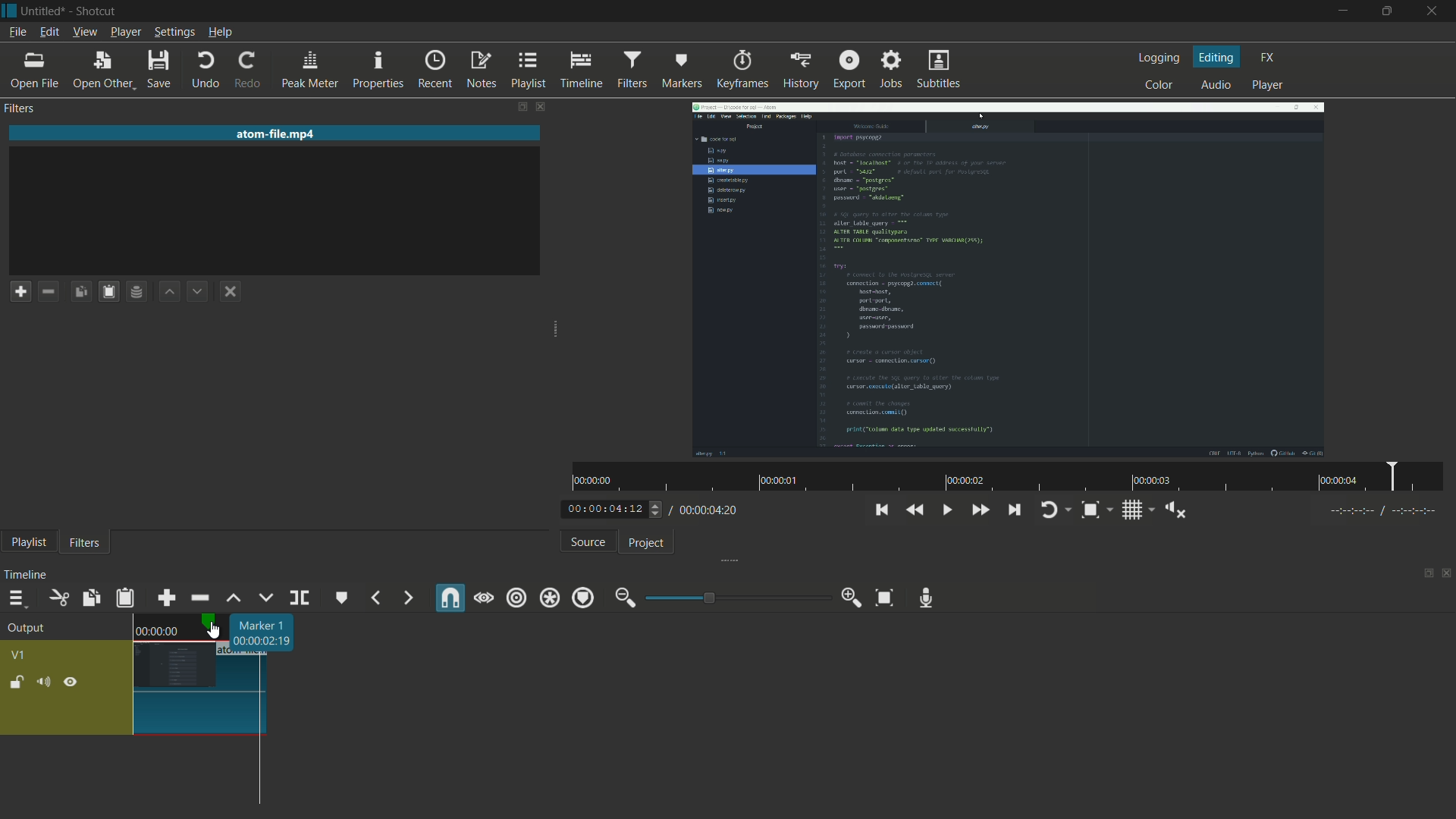  What do you see at coordinates (377, 598) in the screenshot?
I see `previous marker` at bounding box center [377, 598].